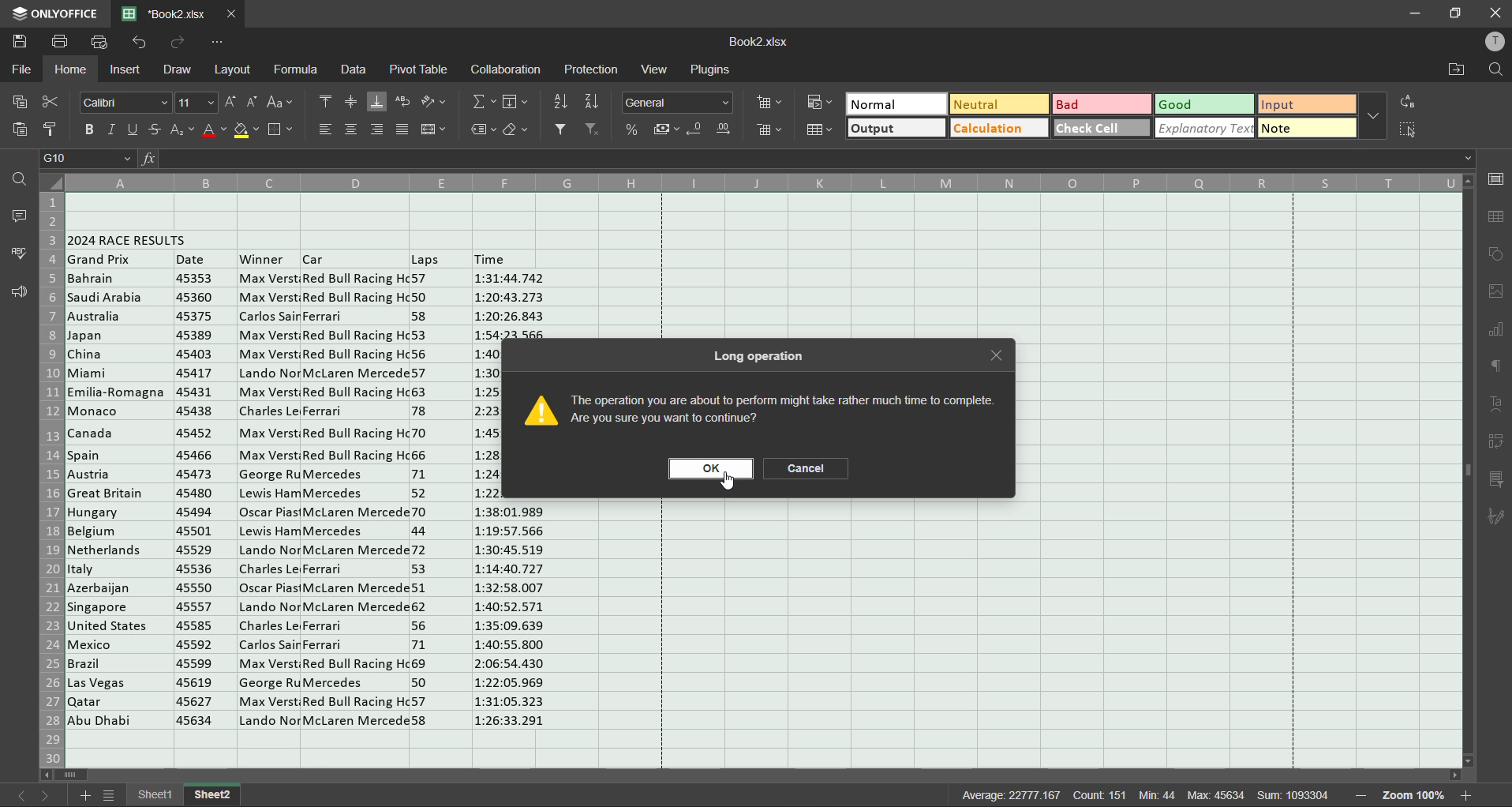  What do you see at coordinates (1011, 794) in the screenshot?
I see `average` at bounding box center [1011, 794].